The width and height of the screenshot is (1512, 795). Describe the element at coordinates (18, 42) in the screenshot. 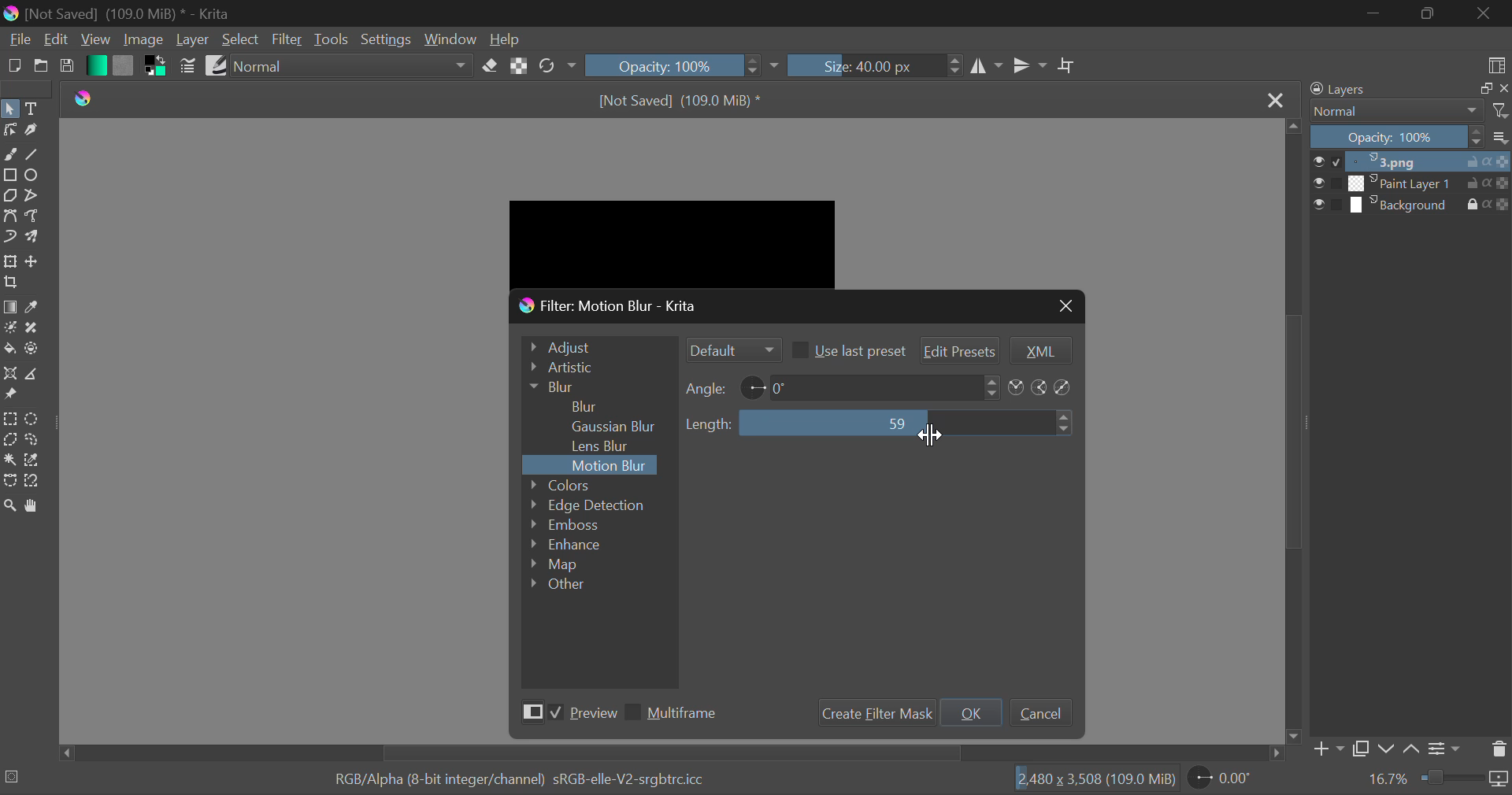

I see `File` at that location.